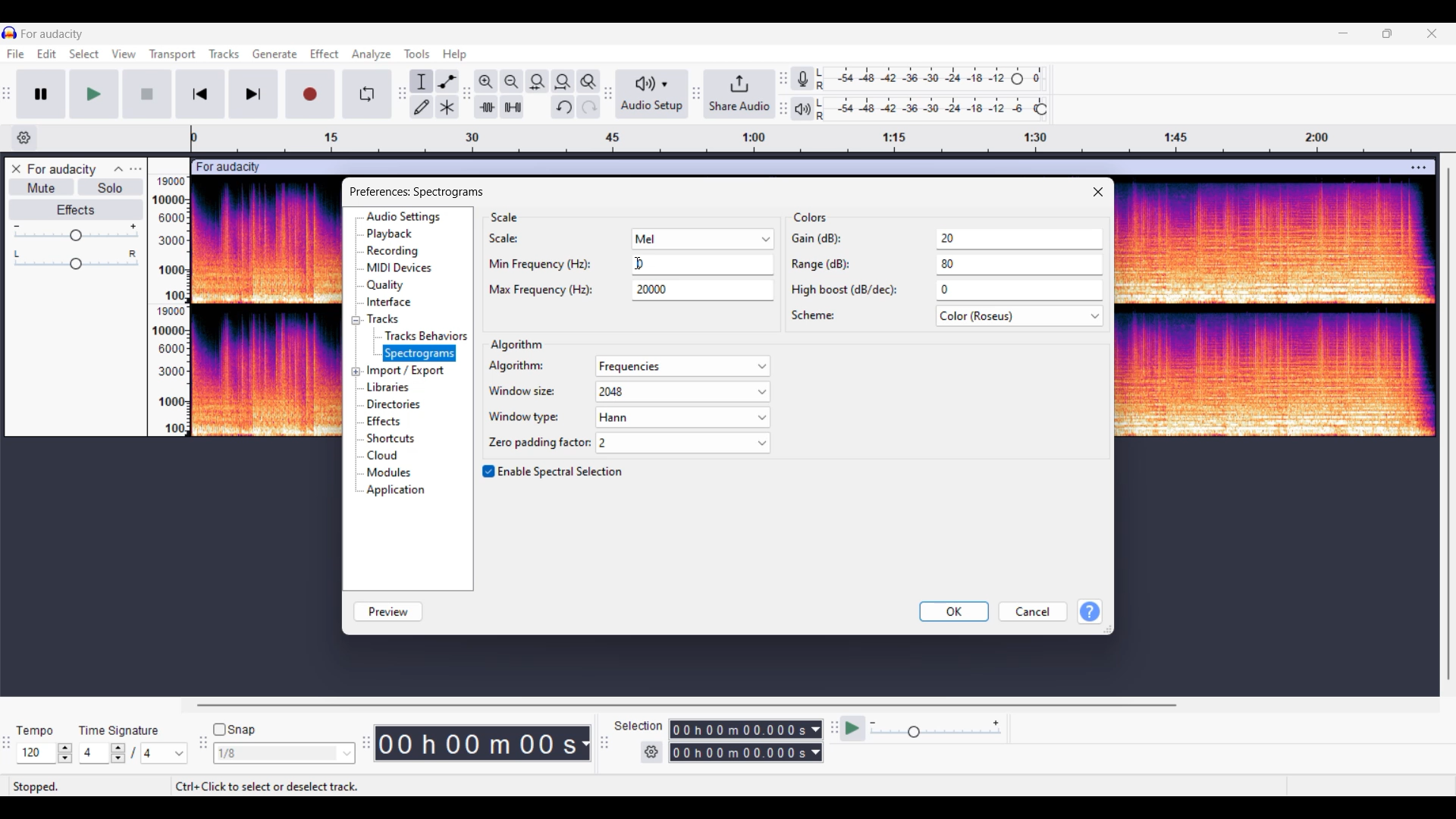 Image resolution: width=1456 pixels, height=819 pixels. Describe the element at coordinates (62, 169) in the screenshot. I see `Track name` at that location.